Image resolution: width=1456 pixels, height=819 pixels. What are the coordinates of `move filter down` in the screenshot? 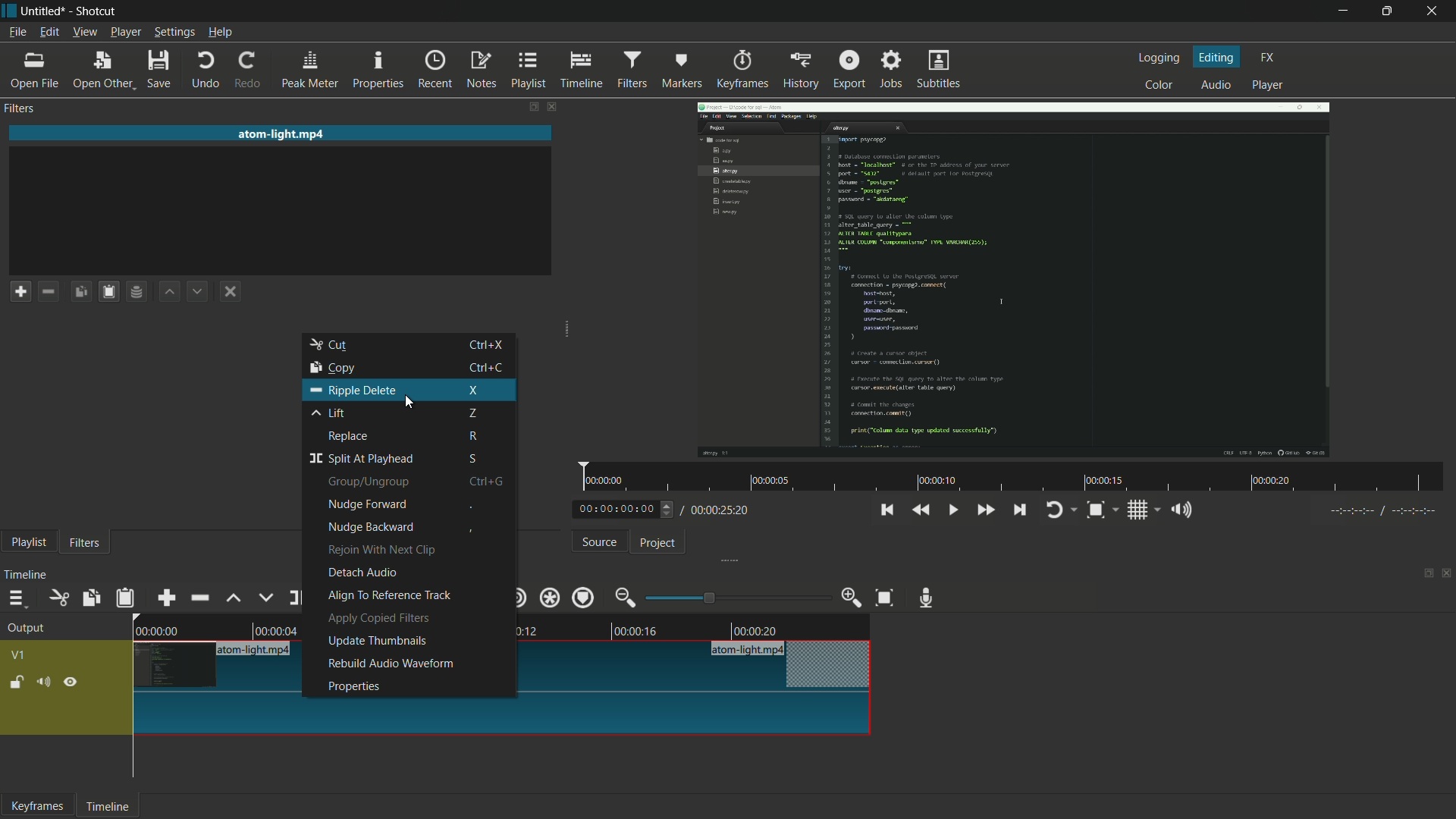 It's located at (197, 291).